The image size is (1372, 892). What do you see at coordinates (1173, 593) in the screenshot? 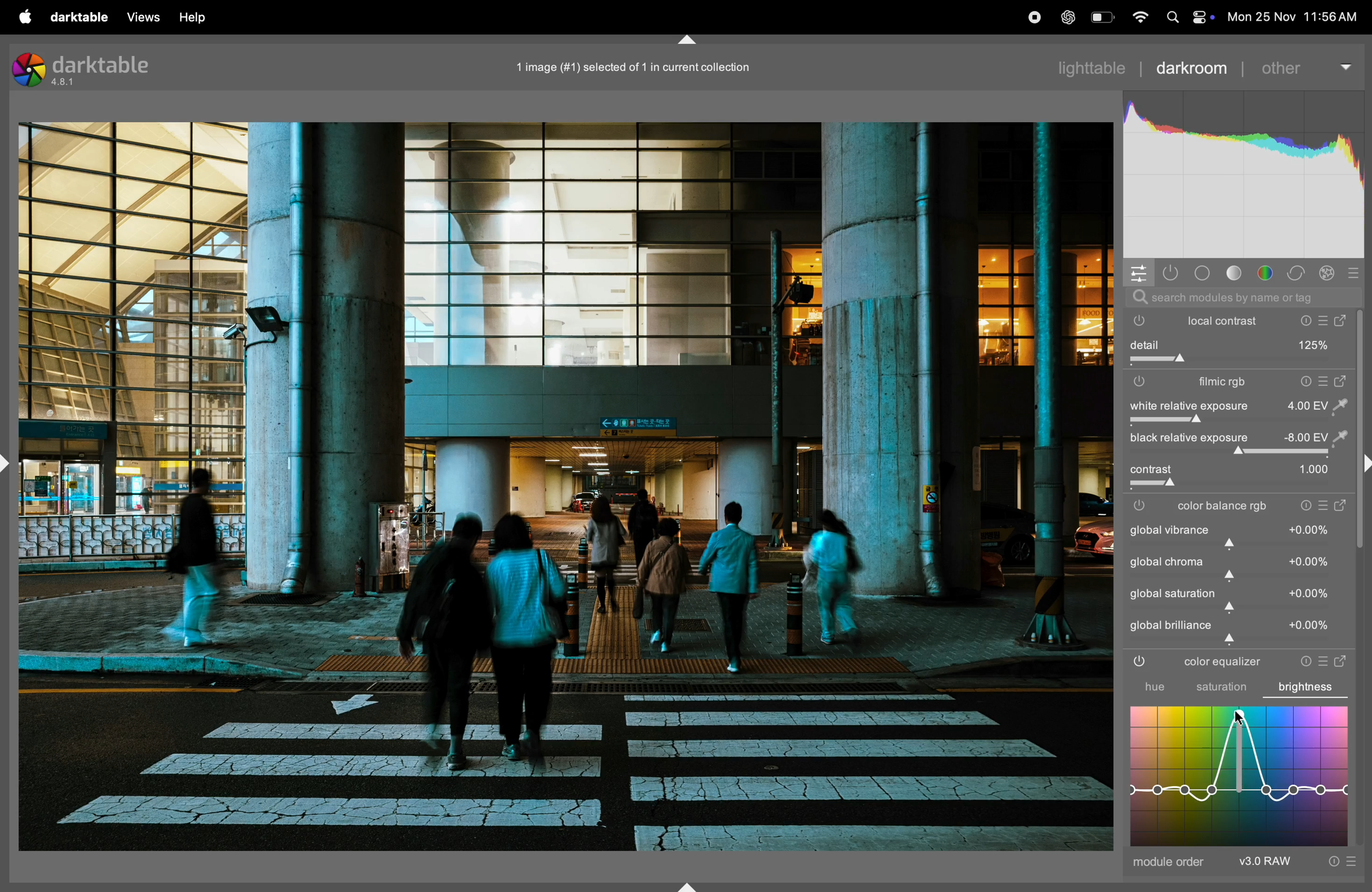
I see `global saturation` at bounding box center [1173, 593].